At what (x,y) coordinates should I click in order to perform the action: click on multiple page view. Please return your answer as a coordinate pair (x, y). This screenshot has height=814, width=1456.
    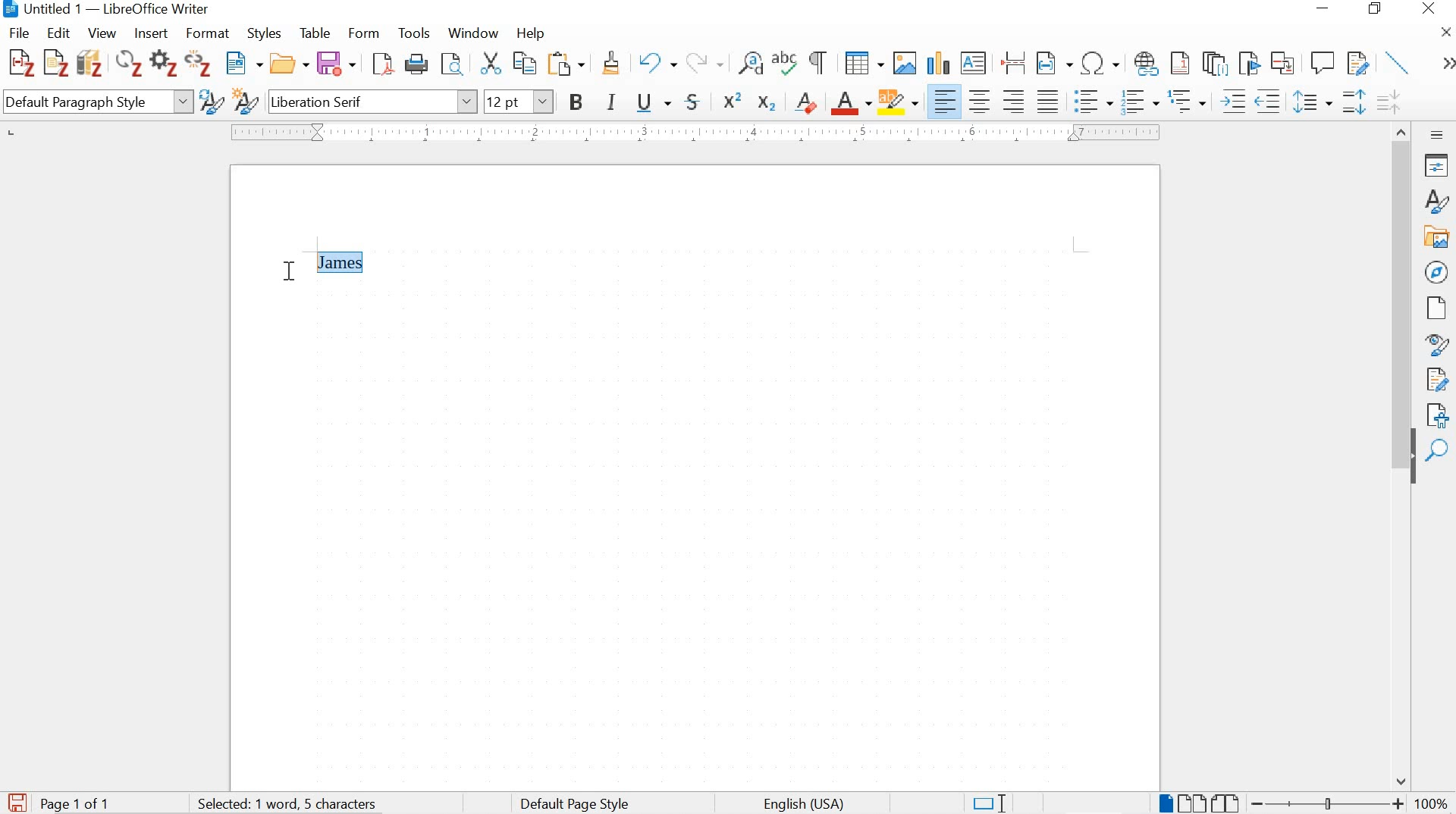
    Looking at the image, I should click on (1191, 803).